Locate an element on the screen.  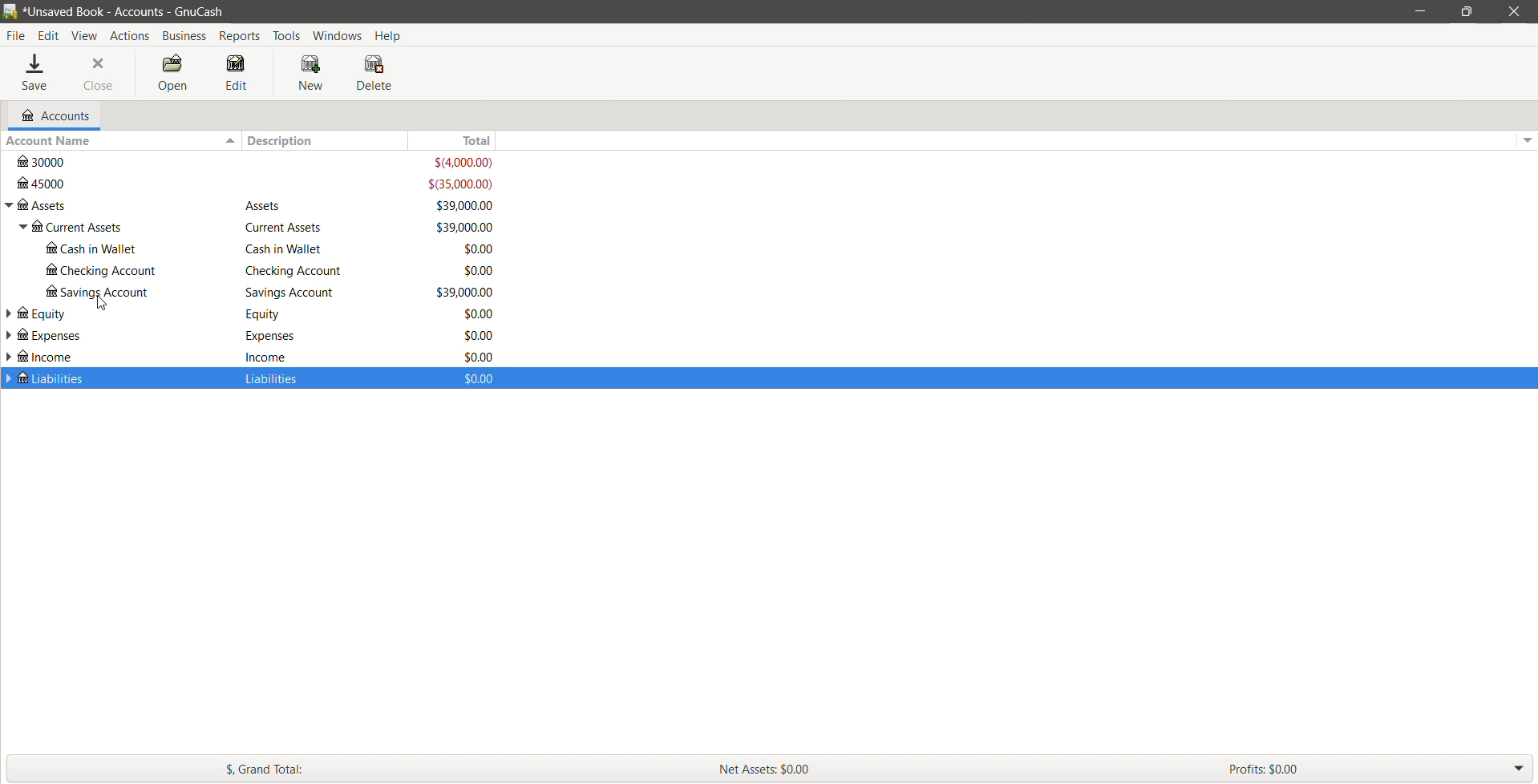
cash in wallet is located at coordinates (99, 249).